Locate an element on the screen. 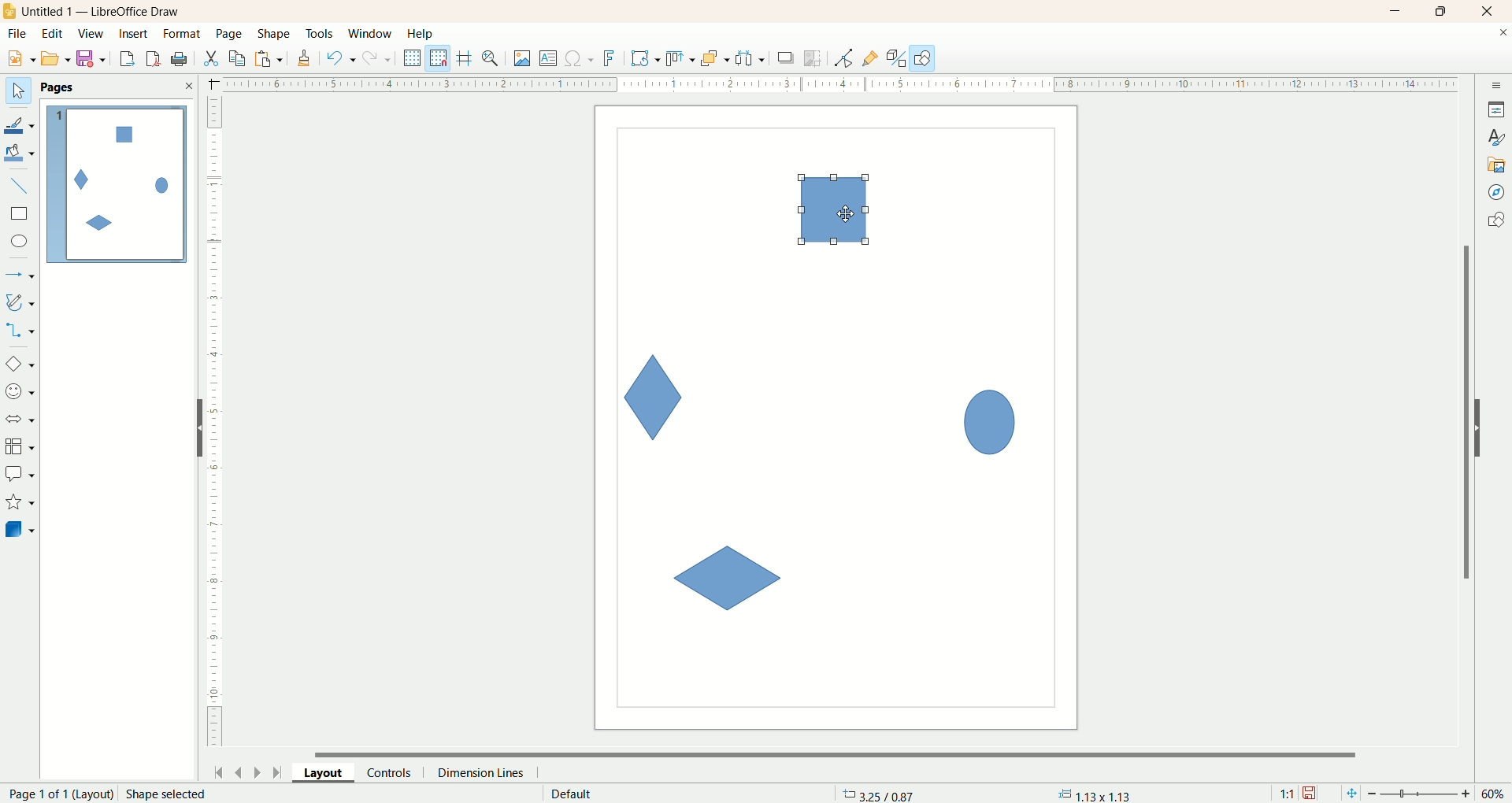 The height and width of the screenshot is (803, 1512). edit is located at coordinates (53, 35).